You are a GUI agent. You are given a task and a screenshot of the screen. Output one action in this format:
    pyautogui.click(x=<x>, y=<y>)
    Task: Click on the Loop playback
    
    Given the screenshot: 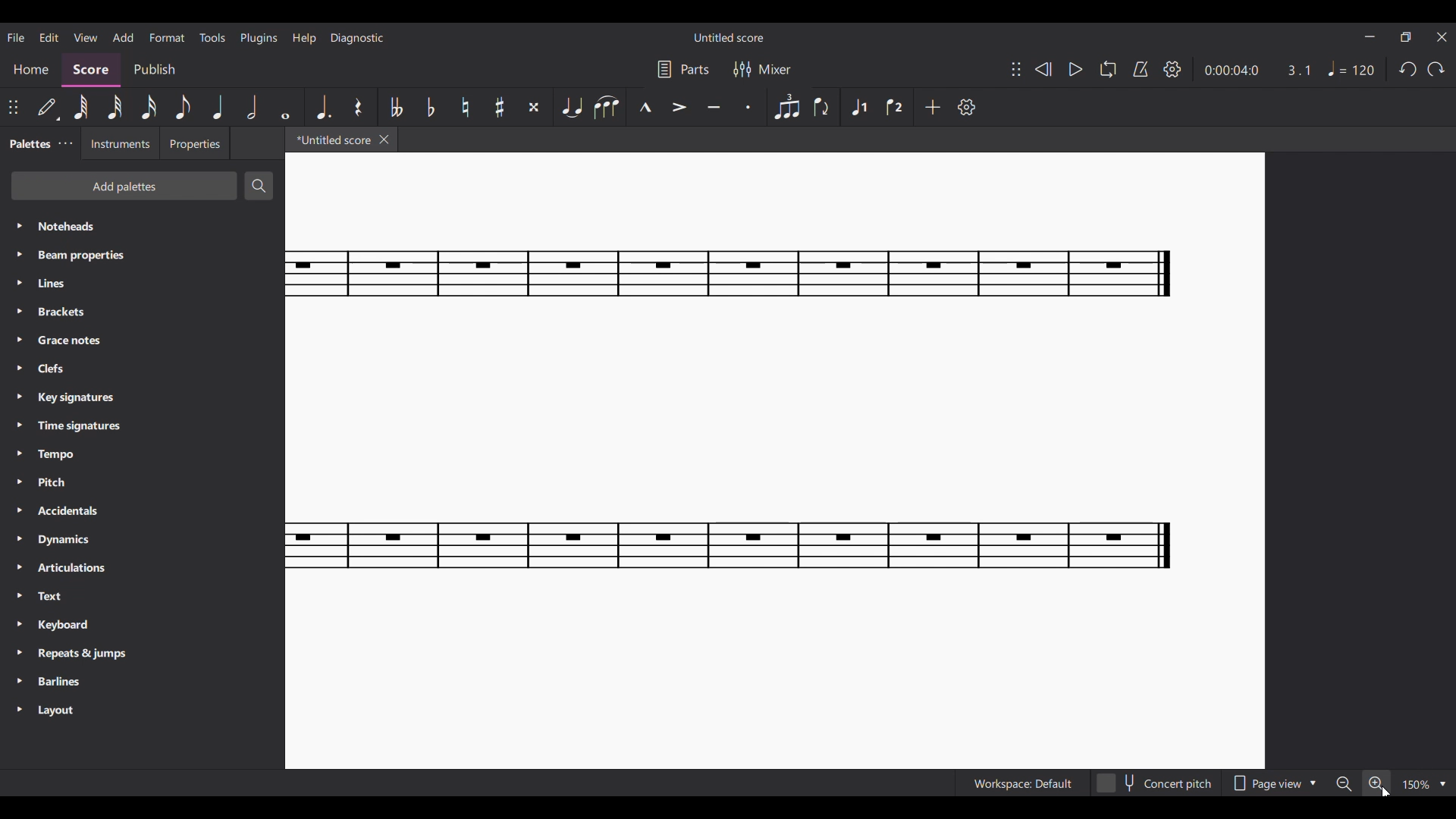 What is the action you would take?
    pyautogui.click(x=1108, y=69)
    